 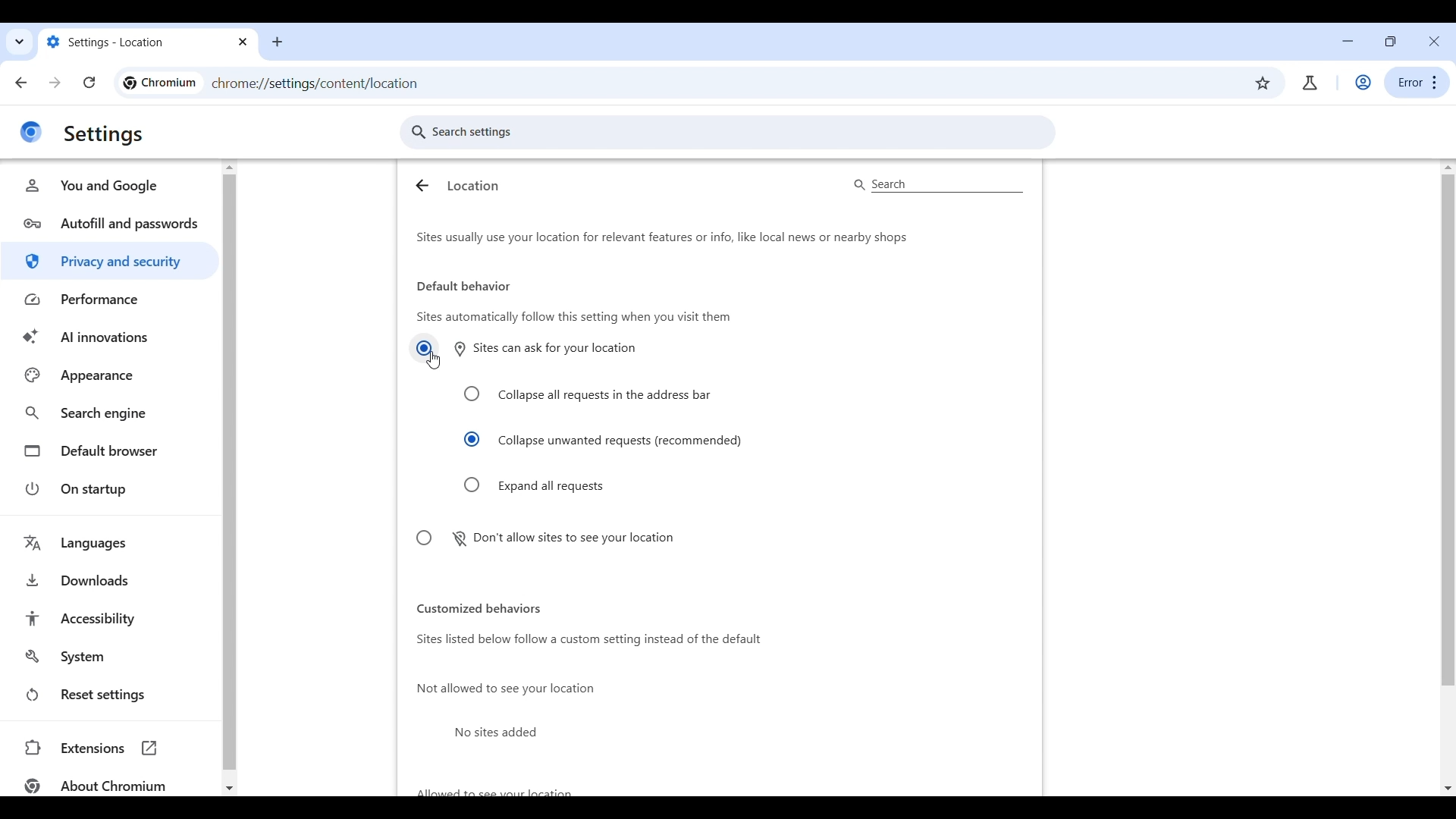 What do you see at coordinates (495, 792) in the screenshot?
I see `allowed to see your location` at bounding box center [495, 792].